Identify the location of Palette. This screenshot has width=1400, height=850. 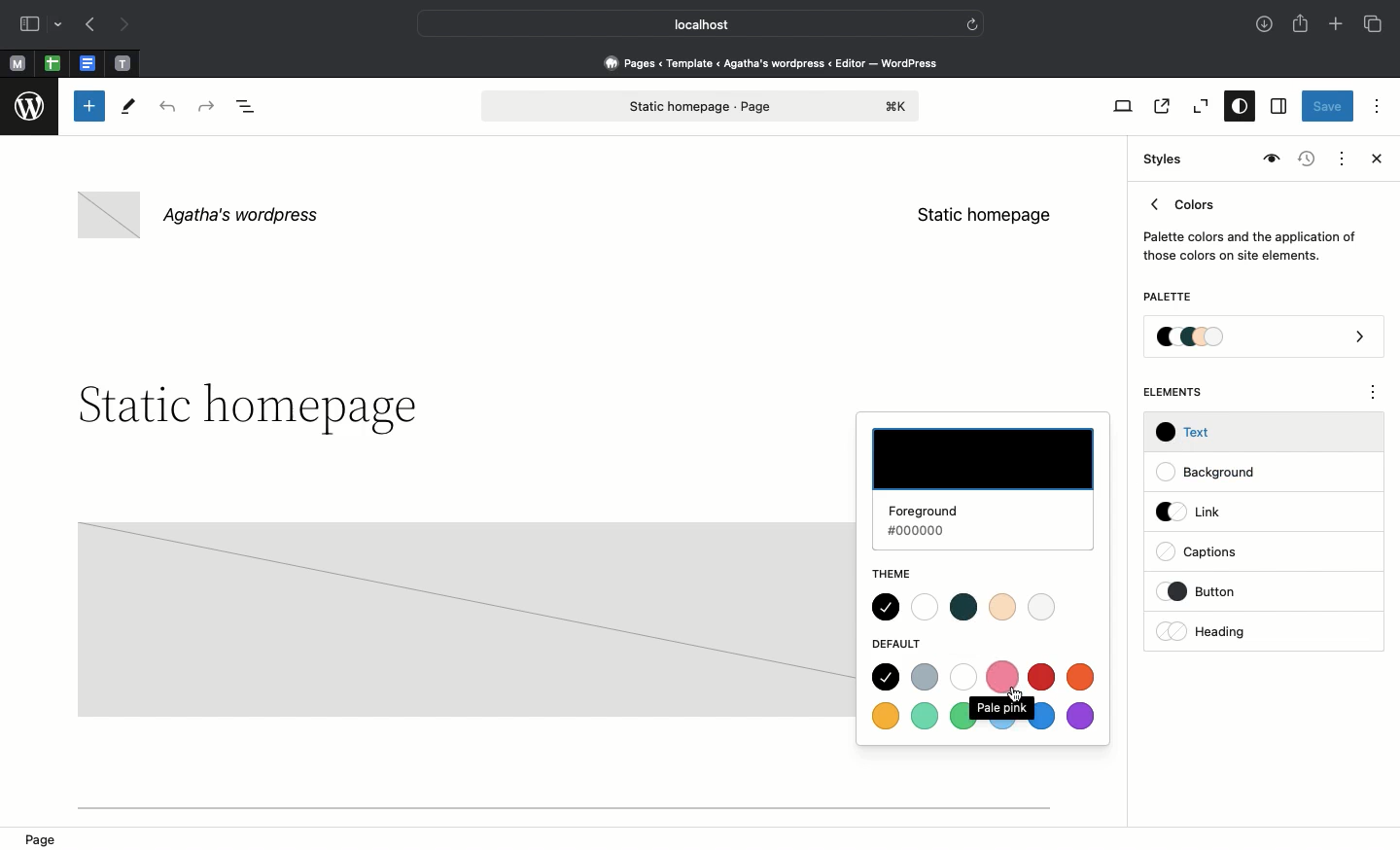
(1167, 299).